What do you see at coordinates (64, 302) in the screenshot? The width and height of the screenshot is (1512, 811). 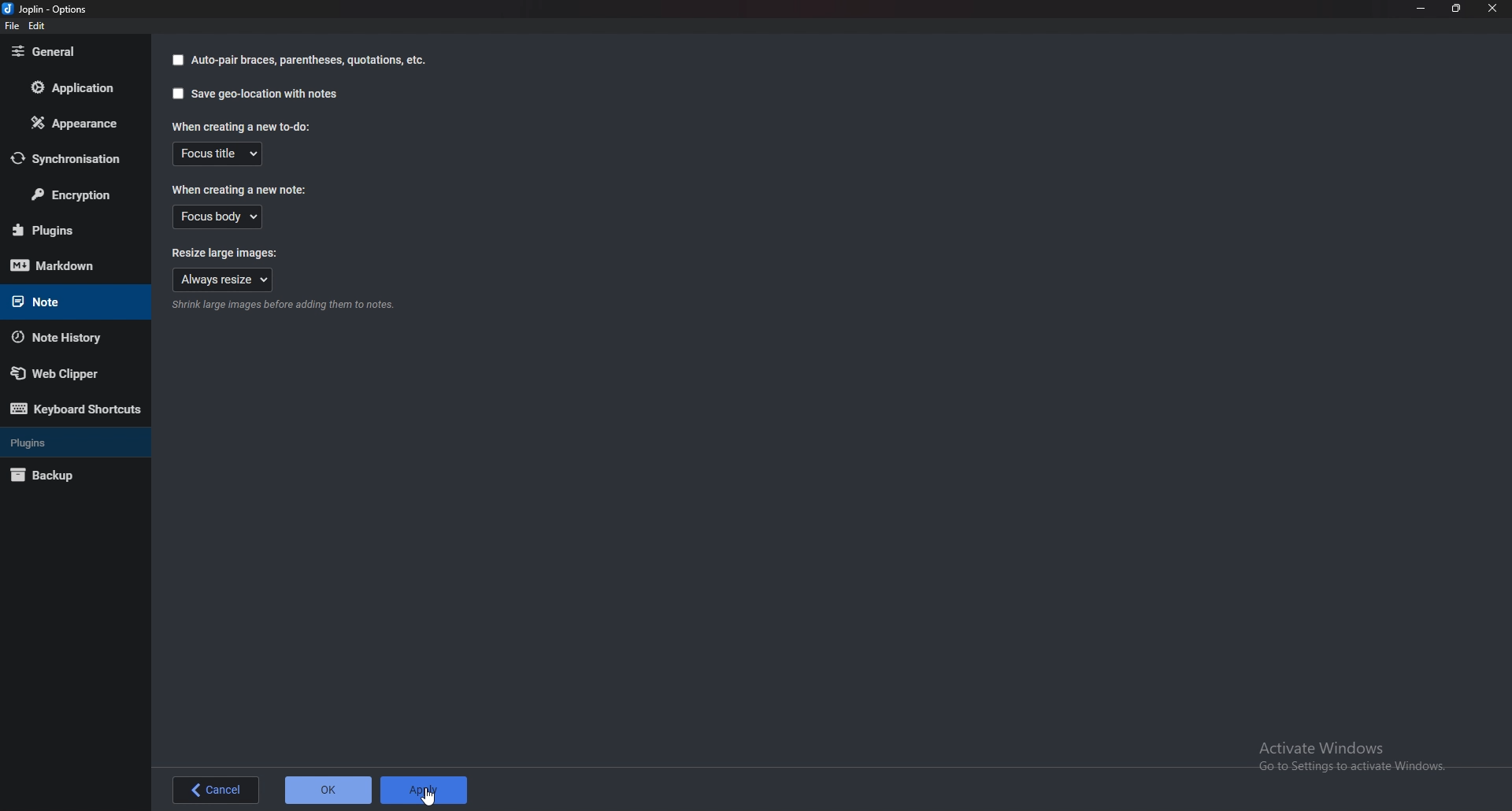 I see `note` at bounding box center [64, 302].